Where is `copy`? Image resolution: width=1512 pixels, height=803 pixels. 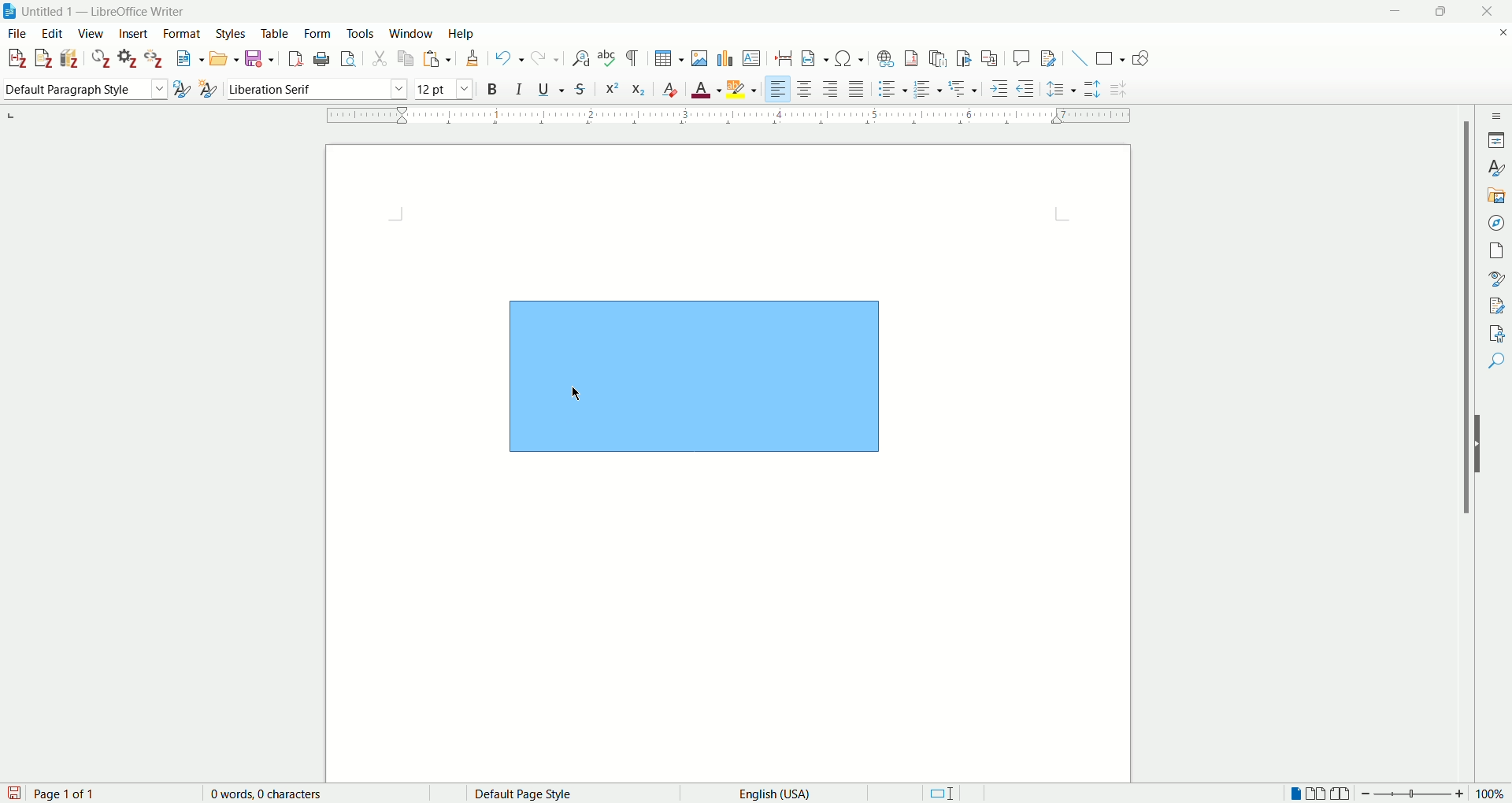
copy is located at coordinates (406, 58).